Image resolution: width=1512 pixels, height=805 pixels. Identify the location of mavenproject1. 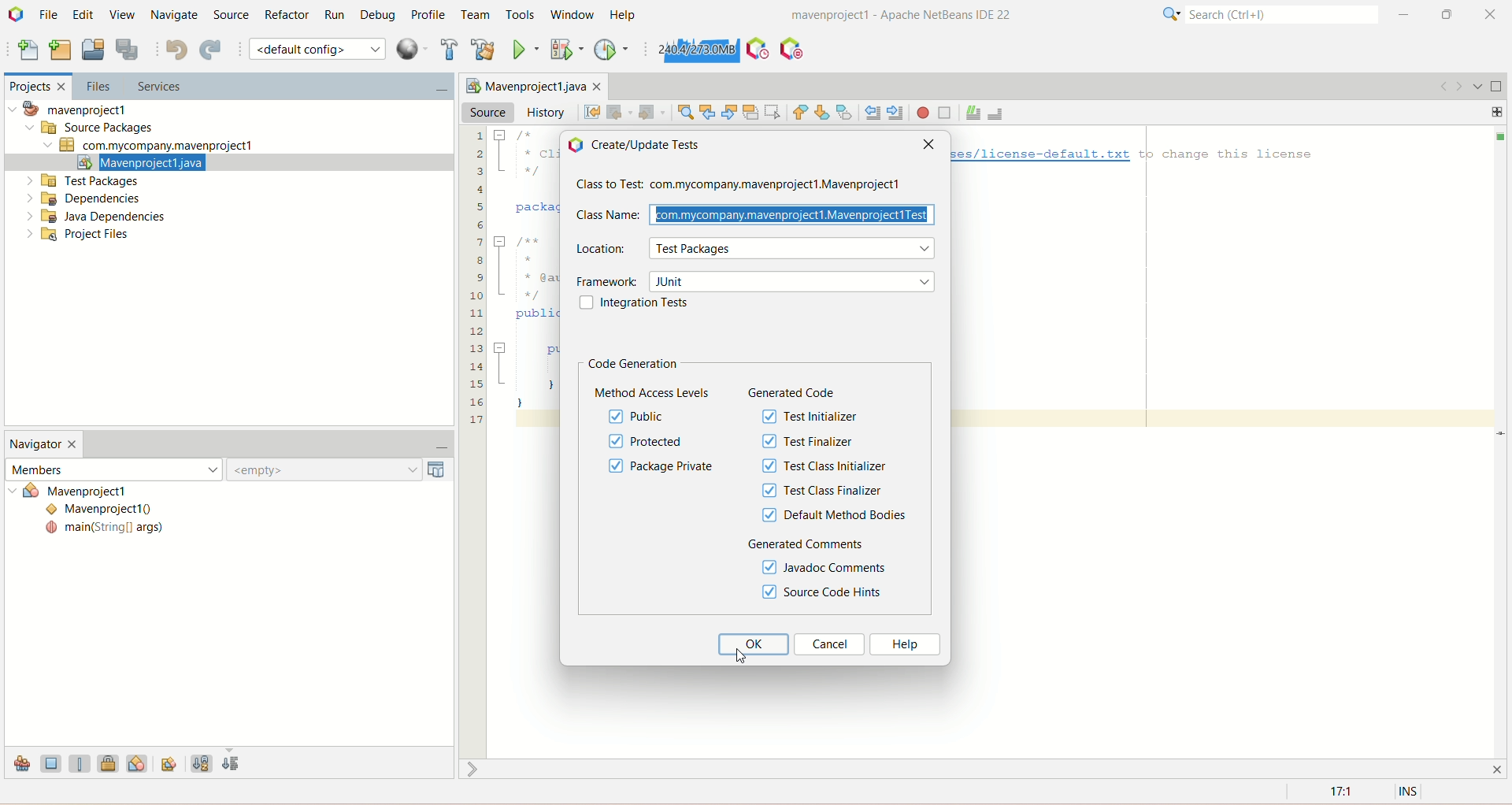
(81, 109).